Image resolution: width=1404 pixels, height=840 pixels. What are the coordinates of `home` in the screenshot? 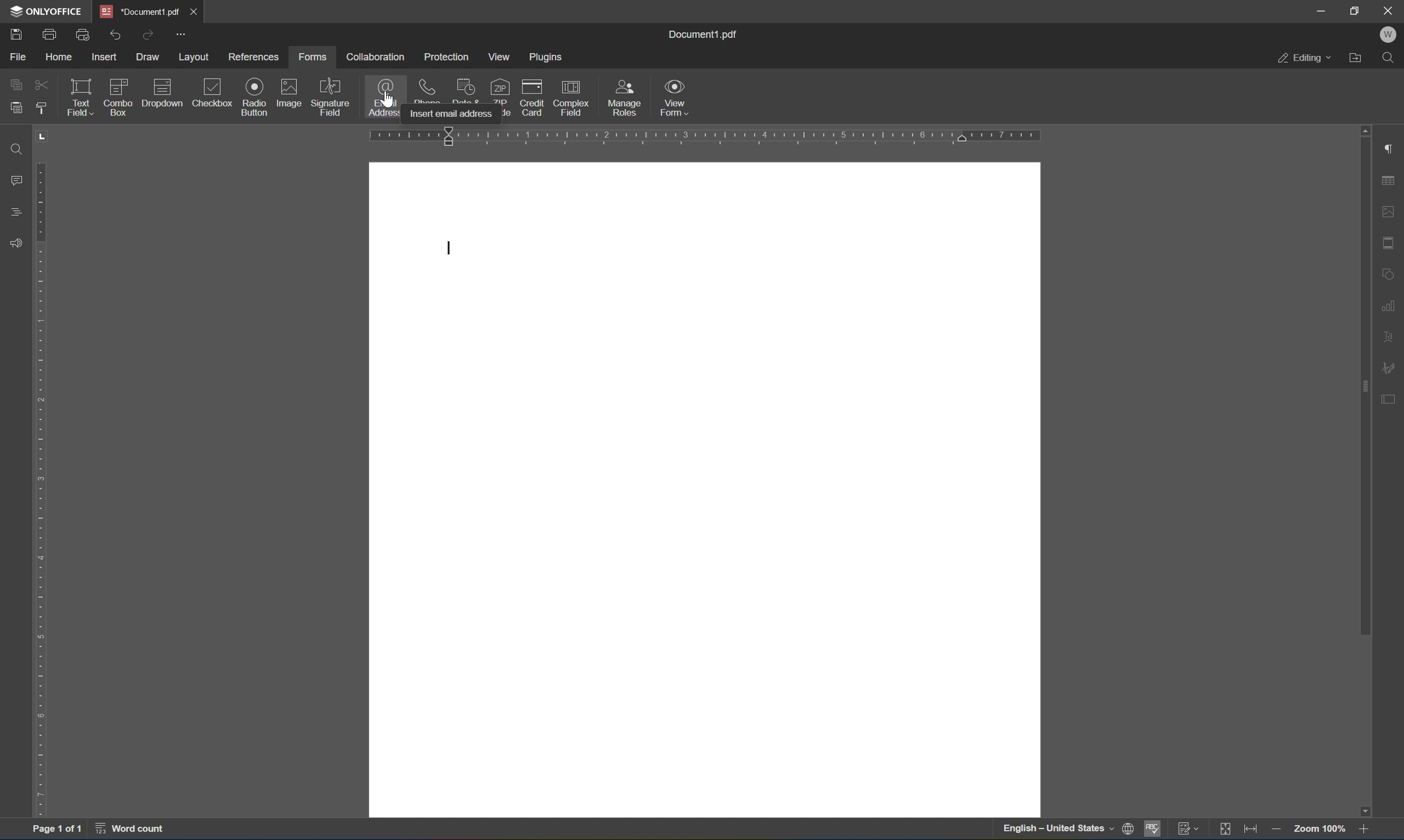 It's located at (62, 57).